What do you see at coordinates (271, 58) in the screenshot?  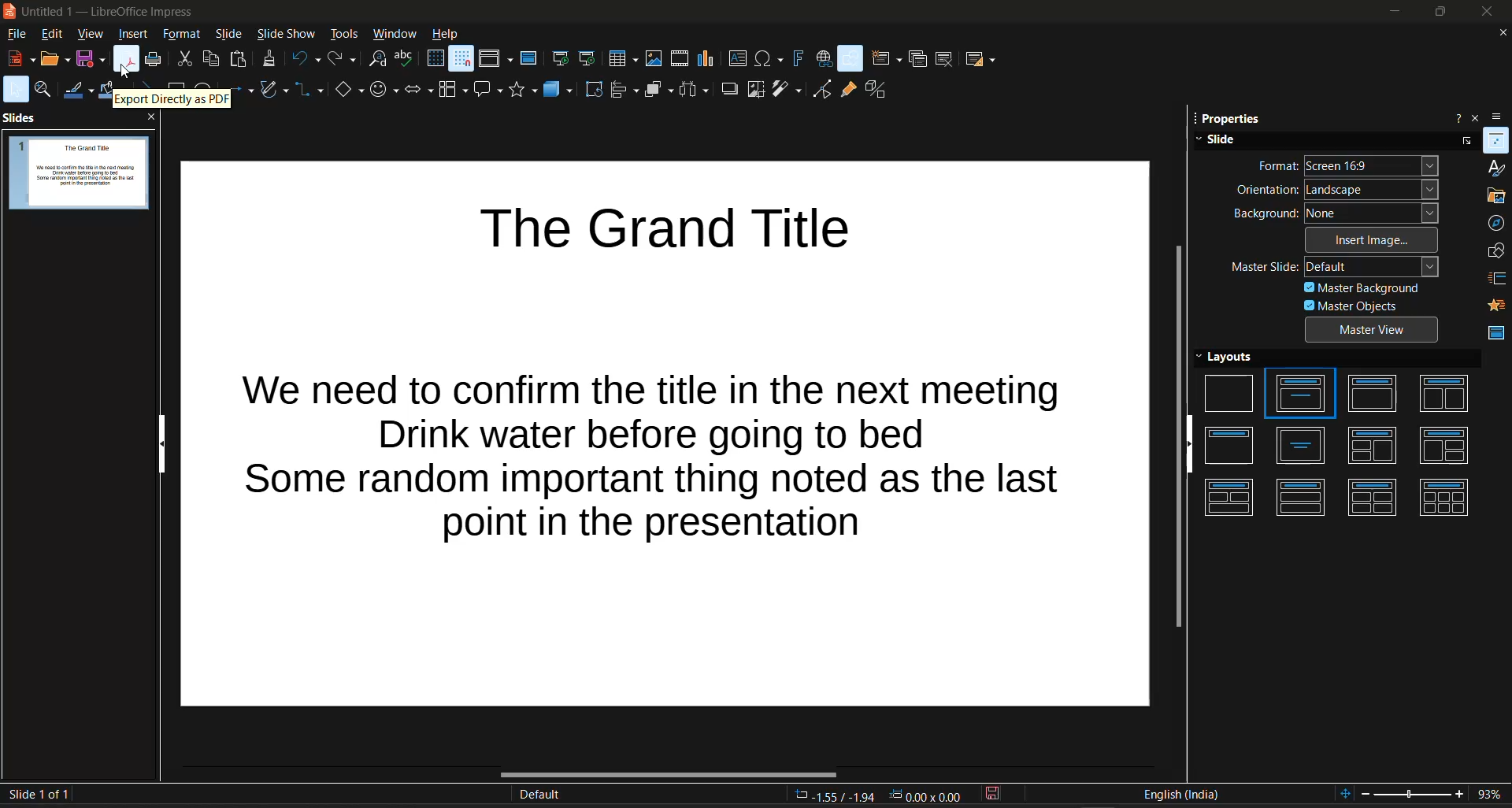 I see `clone formatting` at bounding box center [271, 58].